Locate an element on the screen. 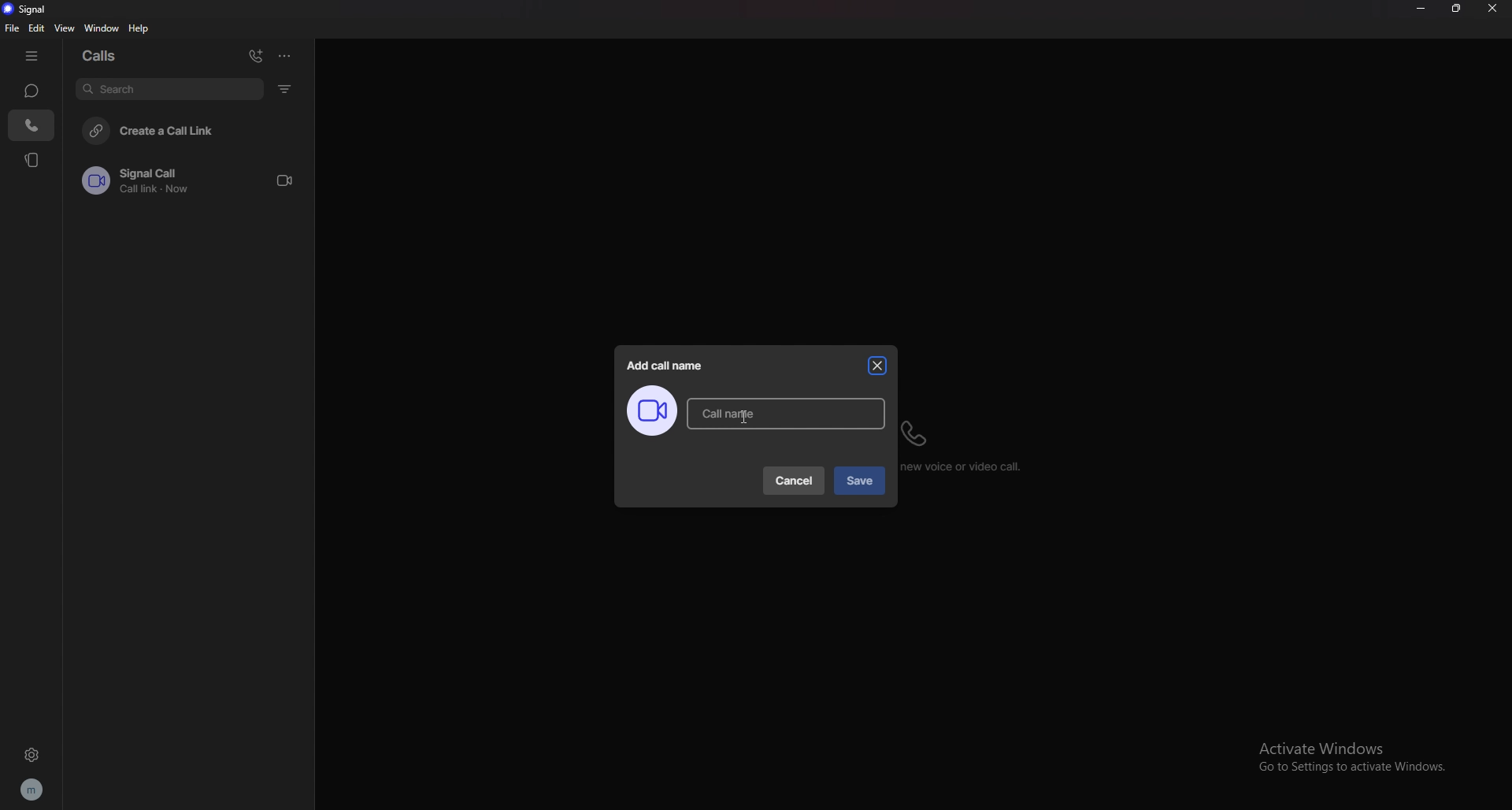 This screenshot has width=1512, height=810. call link is located at coordinates (195, 180).